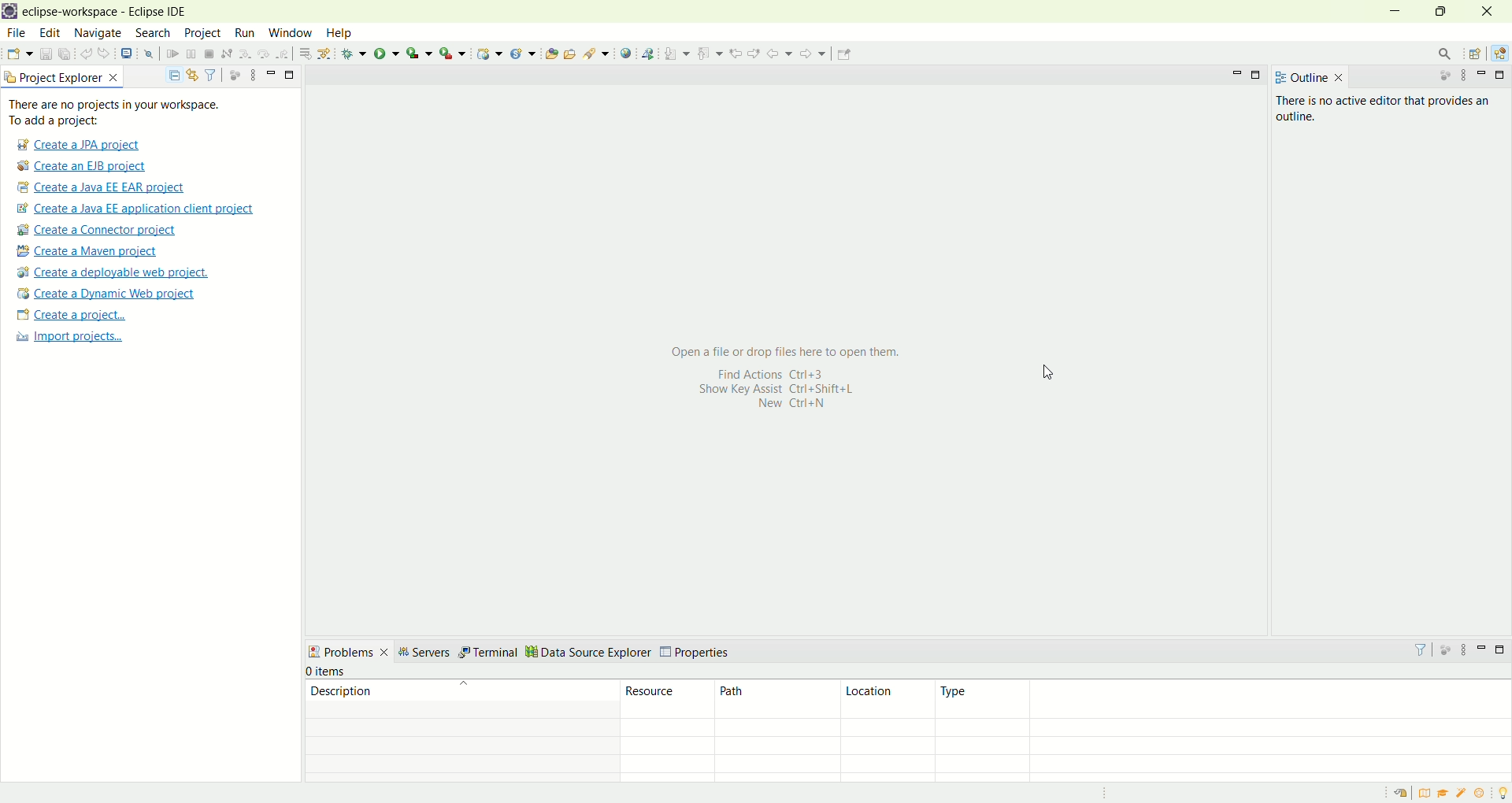 The height and width of the screenshot is (803, 1512). Describe the element at coordinates (847, 55) in the screenshot. I see `Pin editor` at that location.